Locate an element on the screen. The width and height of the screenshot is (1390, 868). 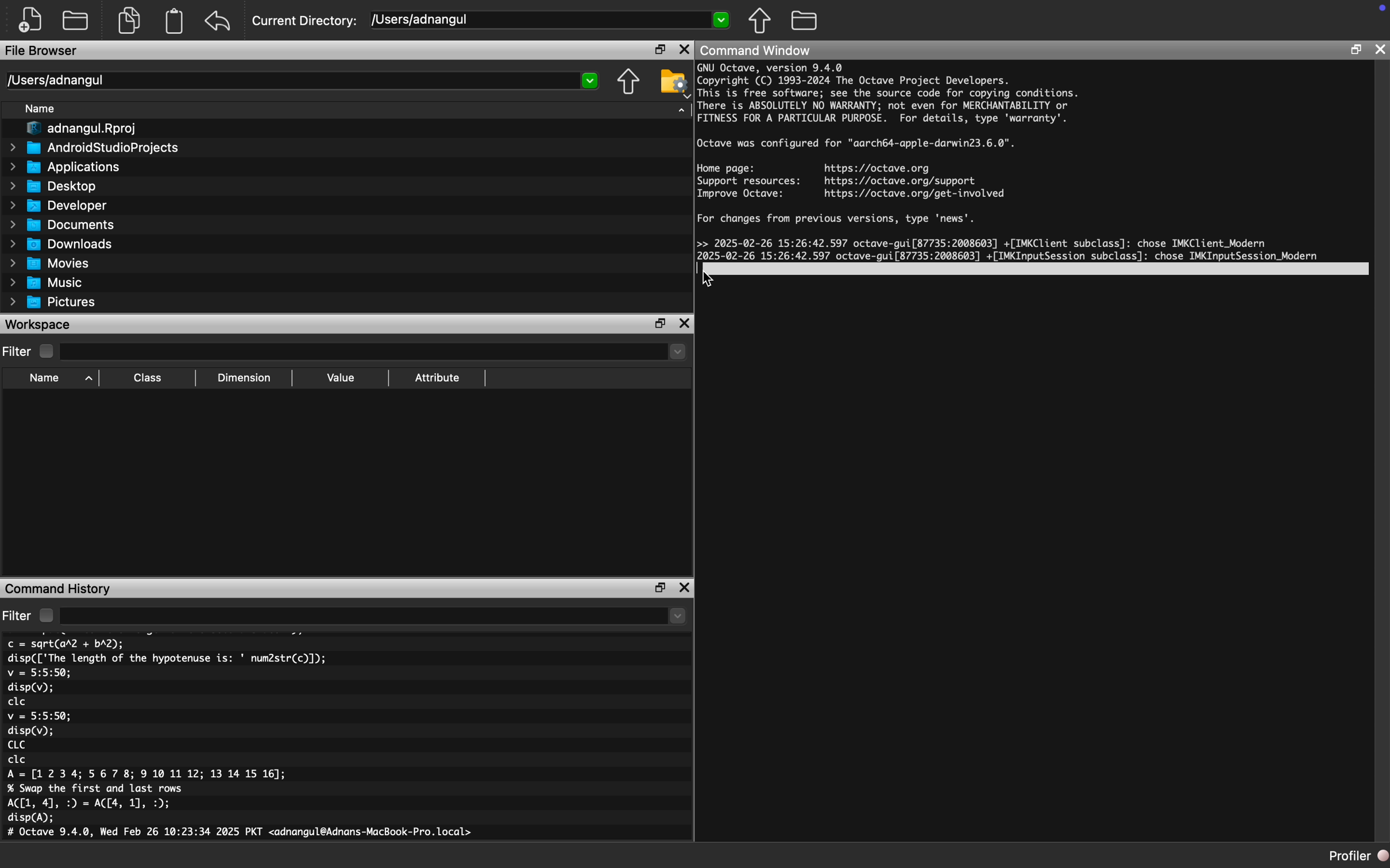
v = 5:5:50; is located at coordinates (39, 716).